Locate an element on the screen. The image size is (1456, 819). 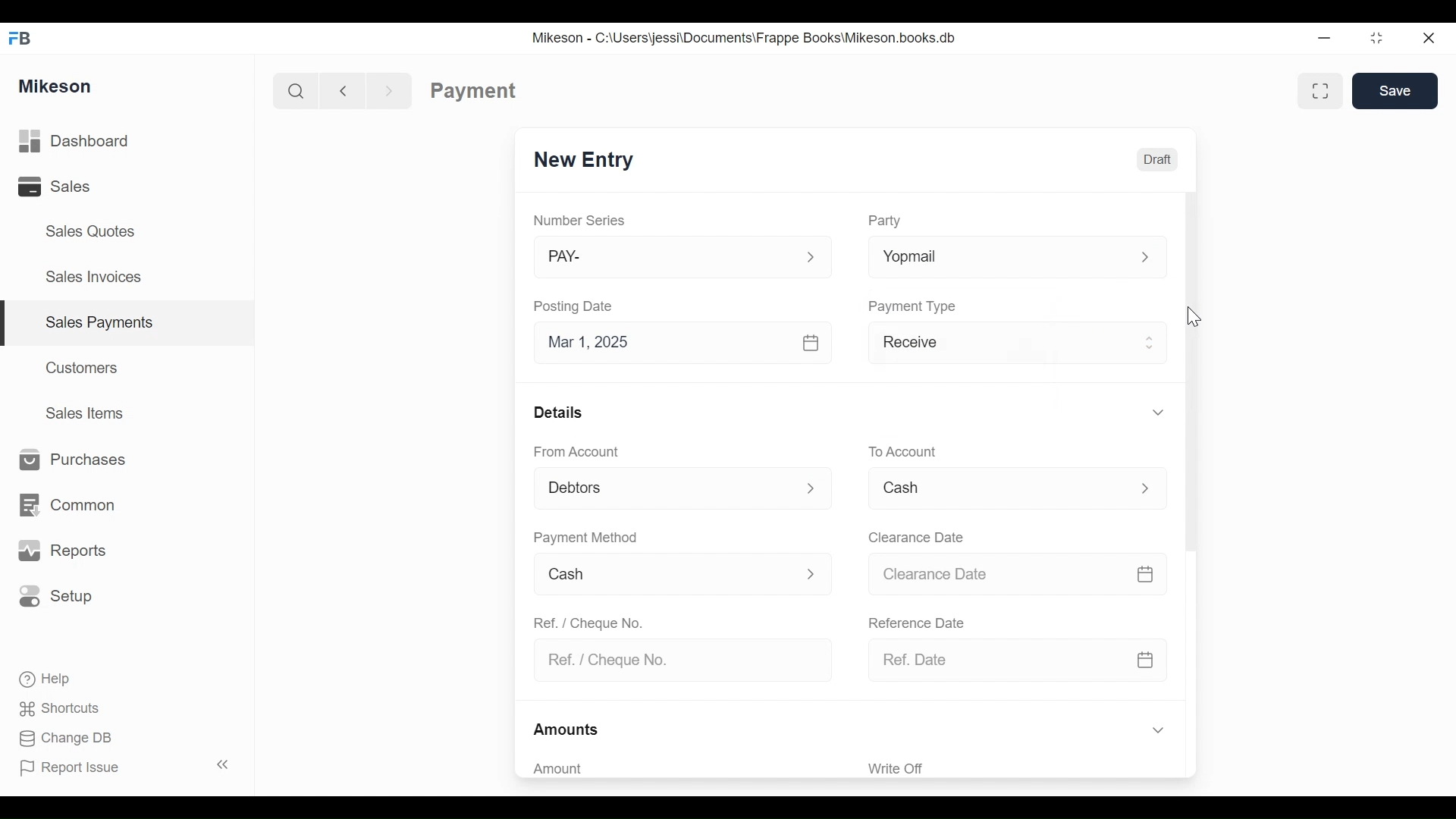
Payment Method is located at coordinates (587, 540).